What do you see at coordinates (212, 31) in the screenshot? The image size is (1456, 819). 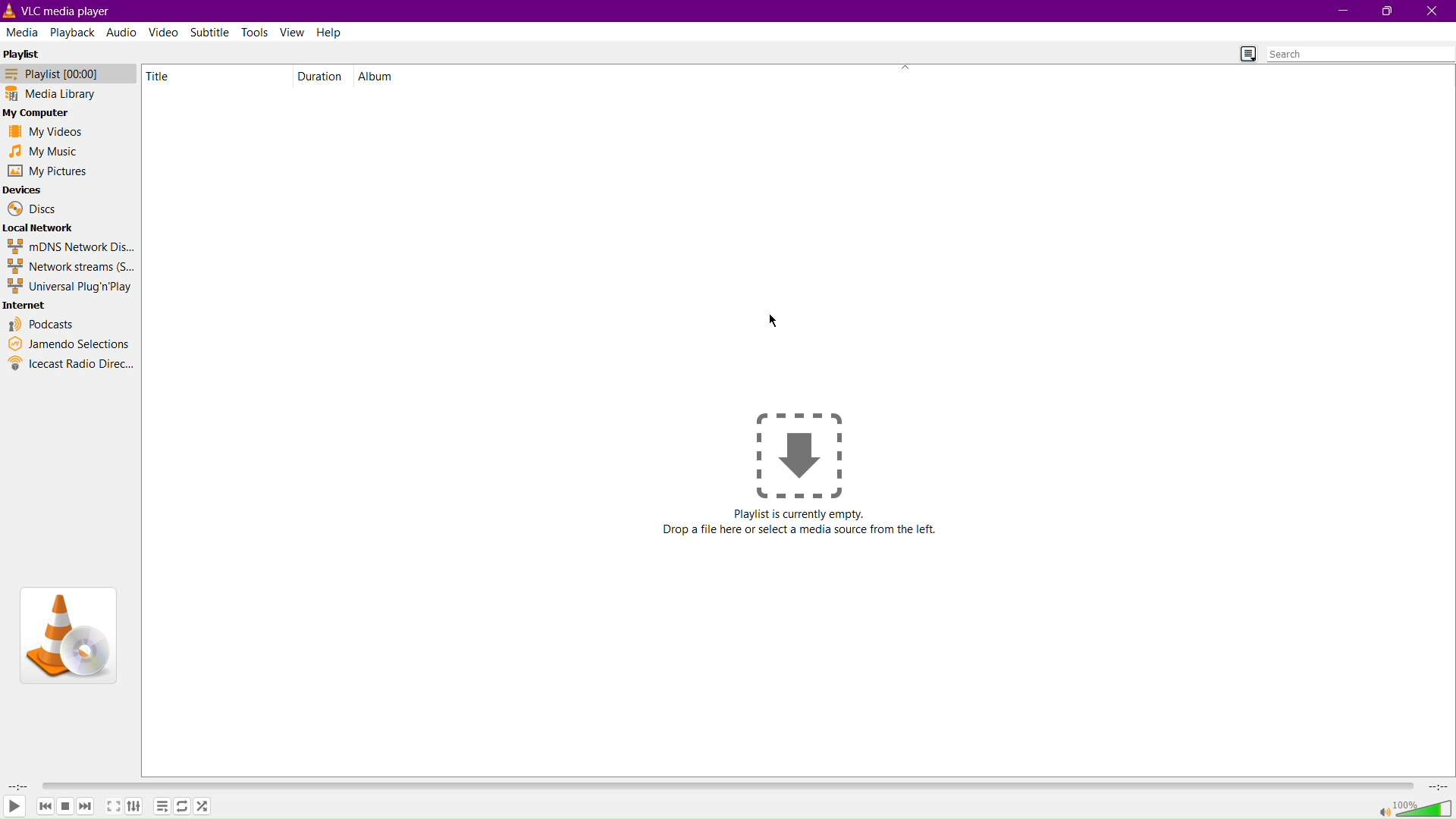 I see `Subtitle` at bounding box center [212, 31].